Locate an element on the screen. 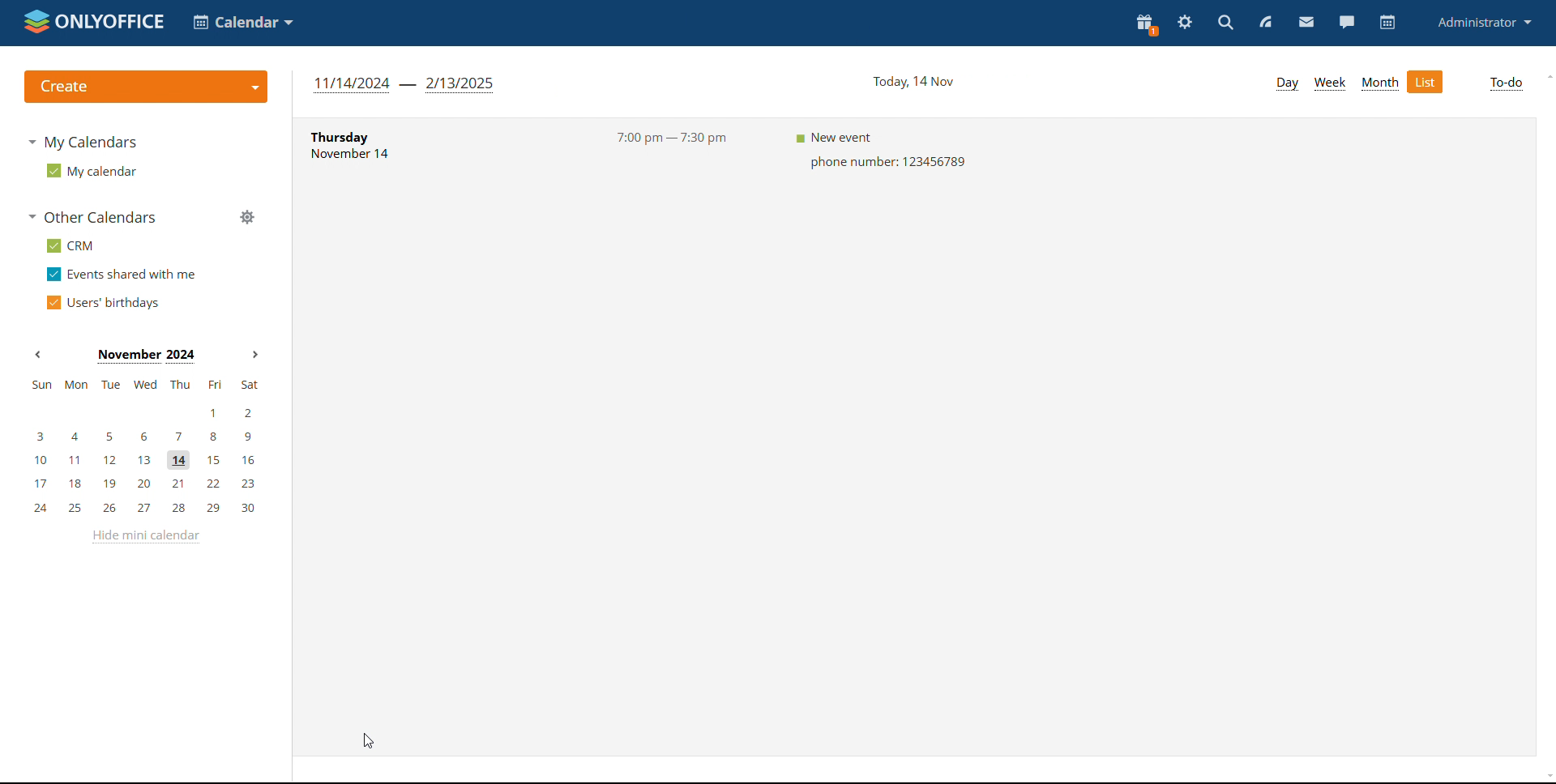 This screenshot has width=1556, height=784. mini calendar is located at coordinates (143, 447).